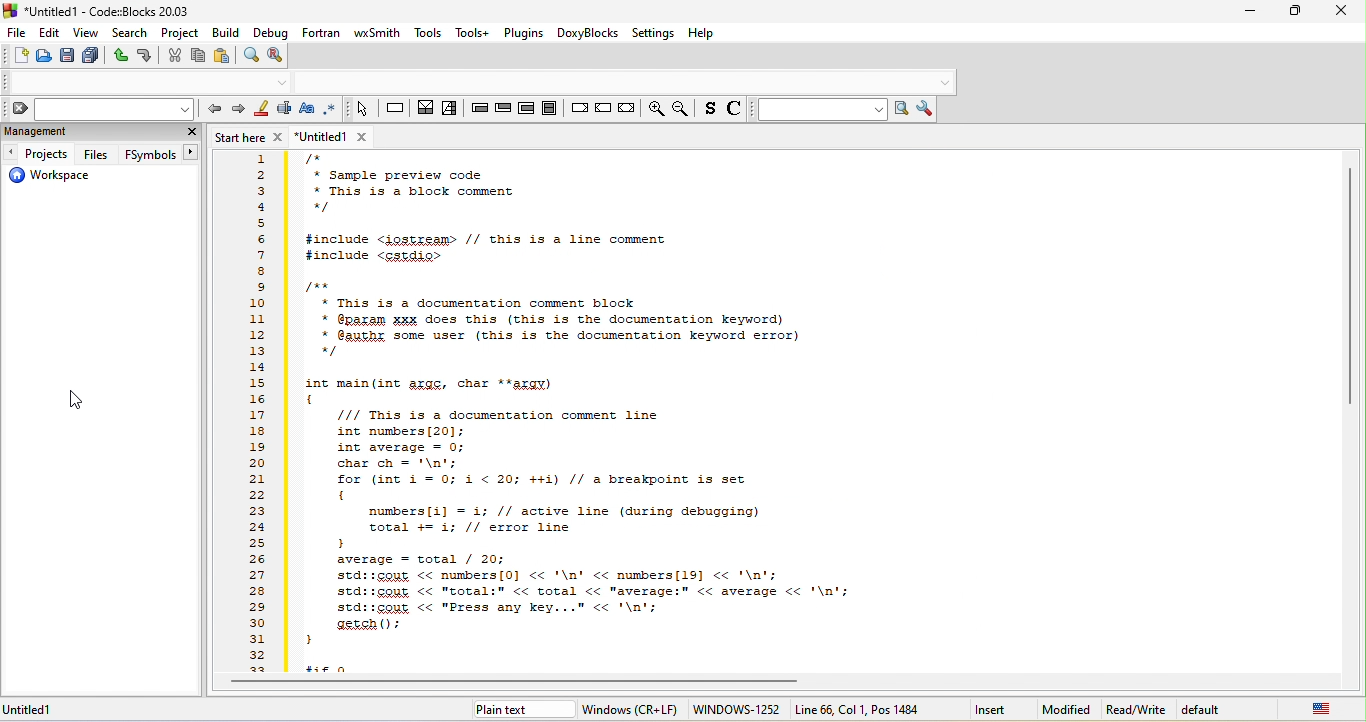 Image resolution: width=1366 pixels, height=722 pixels. I want to click on title, so click(103, 11).